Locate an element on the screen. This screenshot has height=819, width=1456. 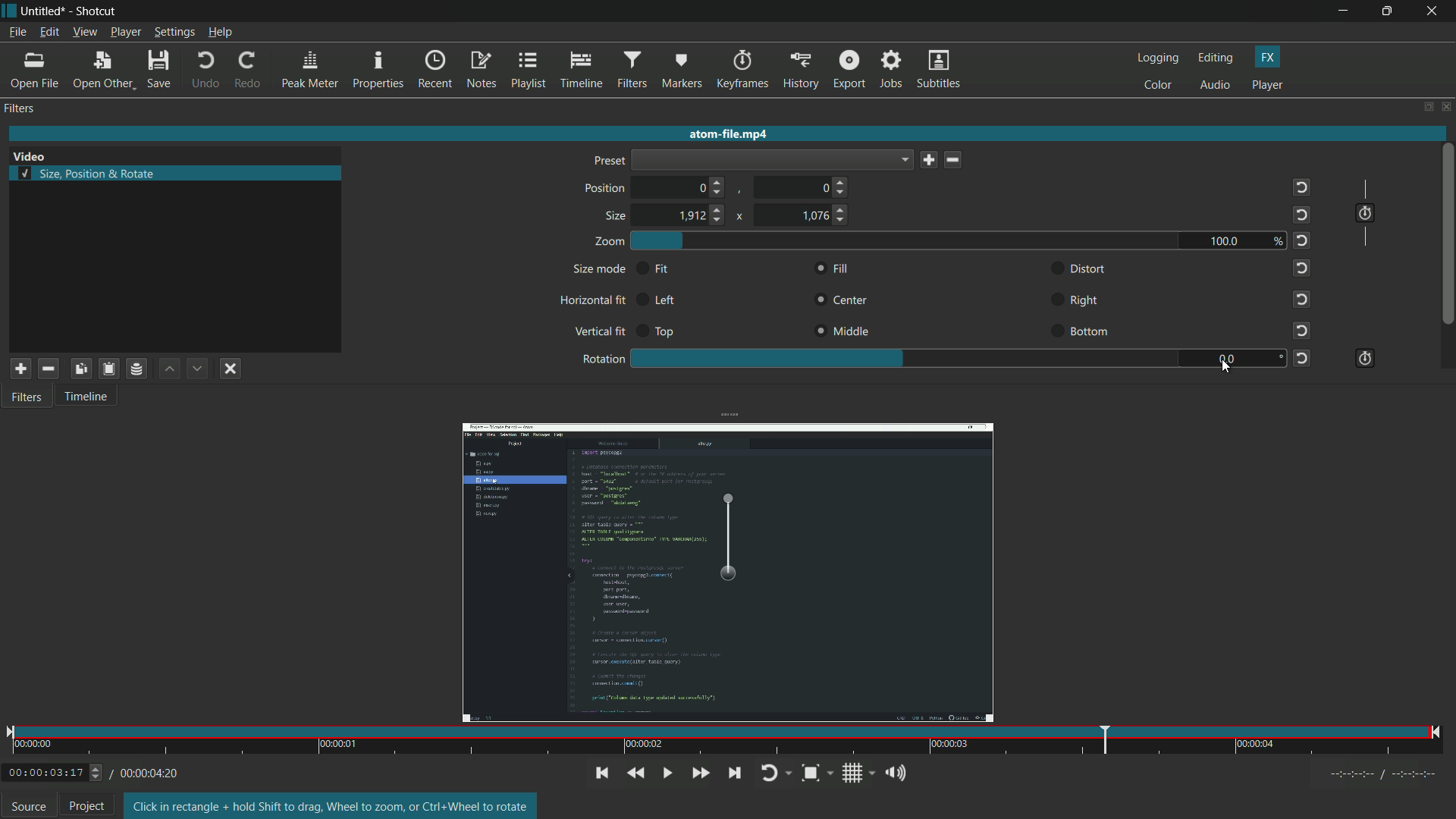
reset to default is located at coordinates (1303, 215).